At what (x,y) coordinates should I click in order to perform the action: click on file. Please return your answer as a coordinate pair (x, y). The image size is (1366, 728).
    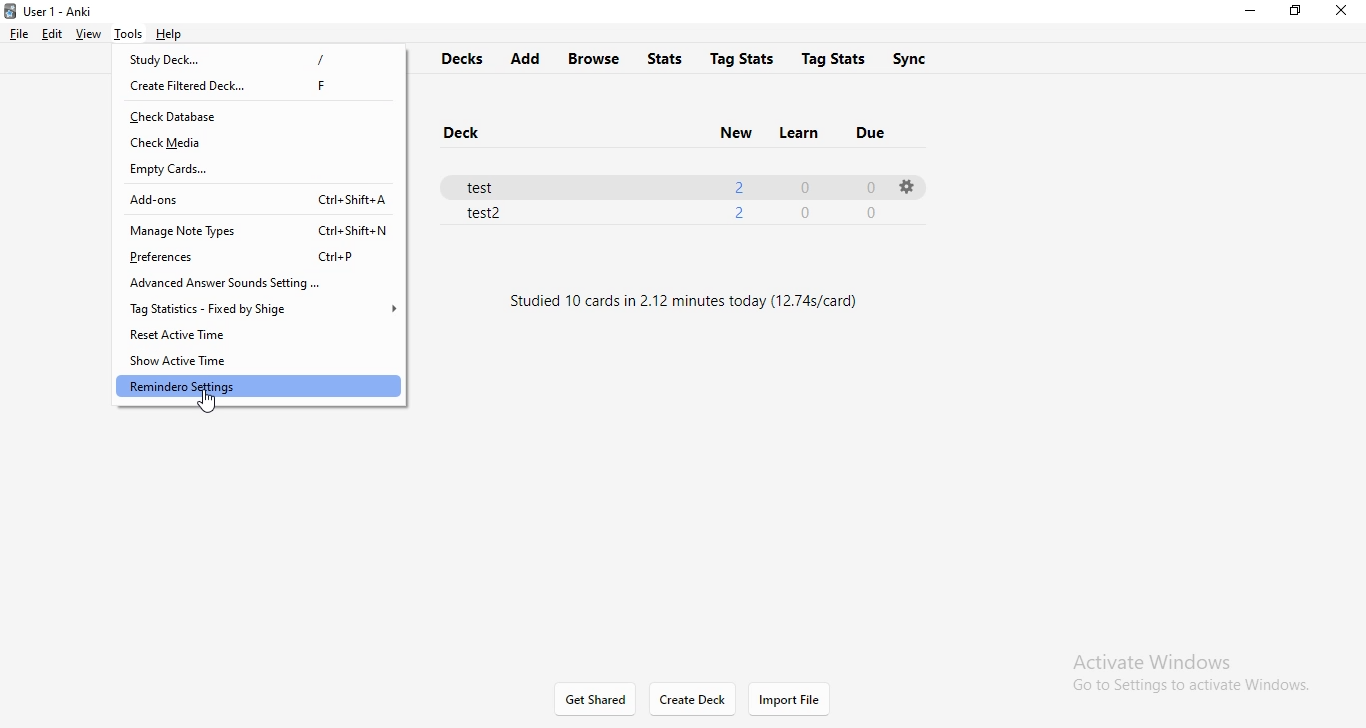
    Looking at the image, I should click on (19, 34).